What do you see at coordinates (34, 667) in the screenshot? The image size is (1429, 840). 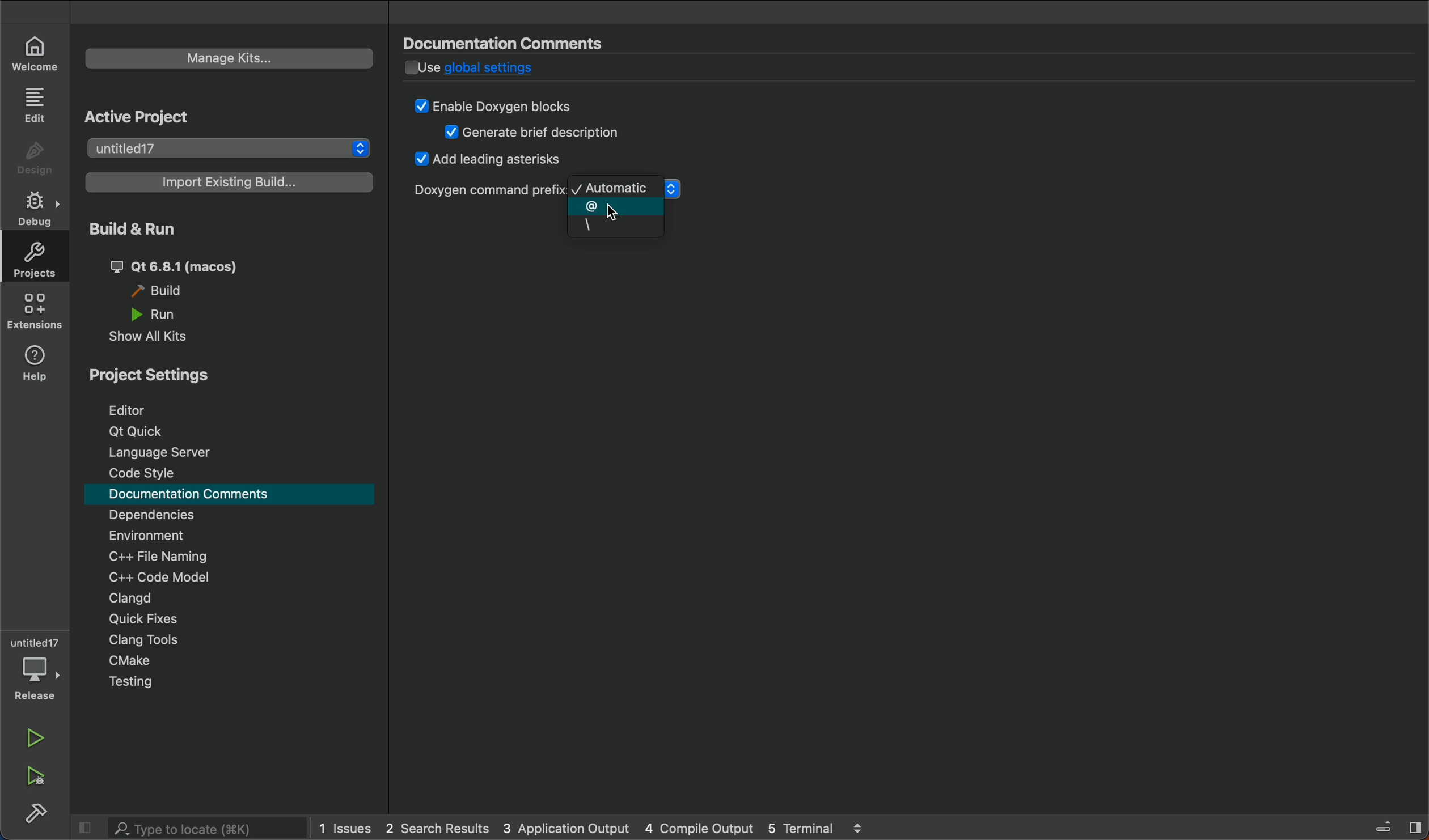 I see `debugger` at bounding box center [34, 667].